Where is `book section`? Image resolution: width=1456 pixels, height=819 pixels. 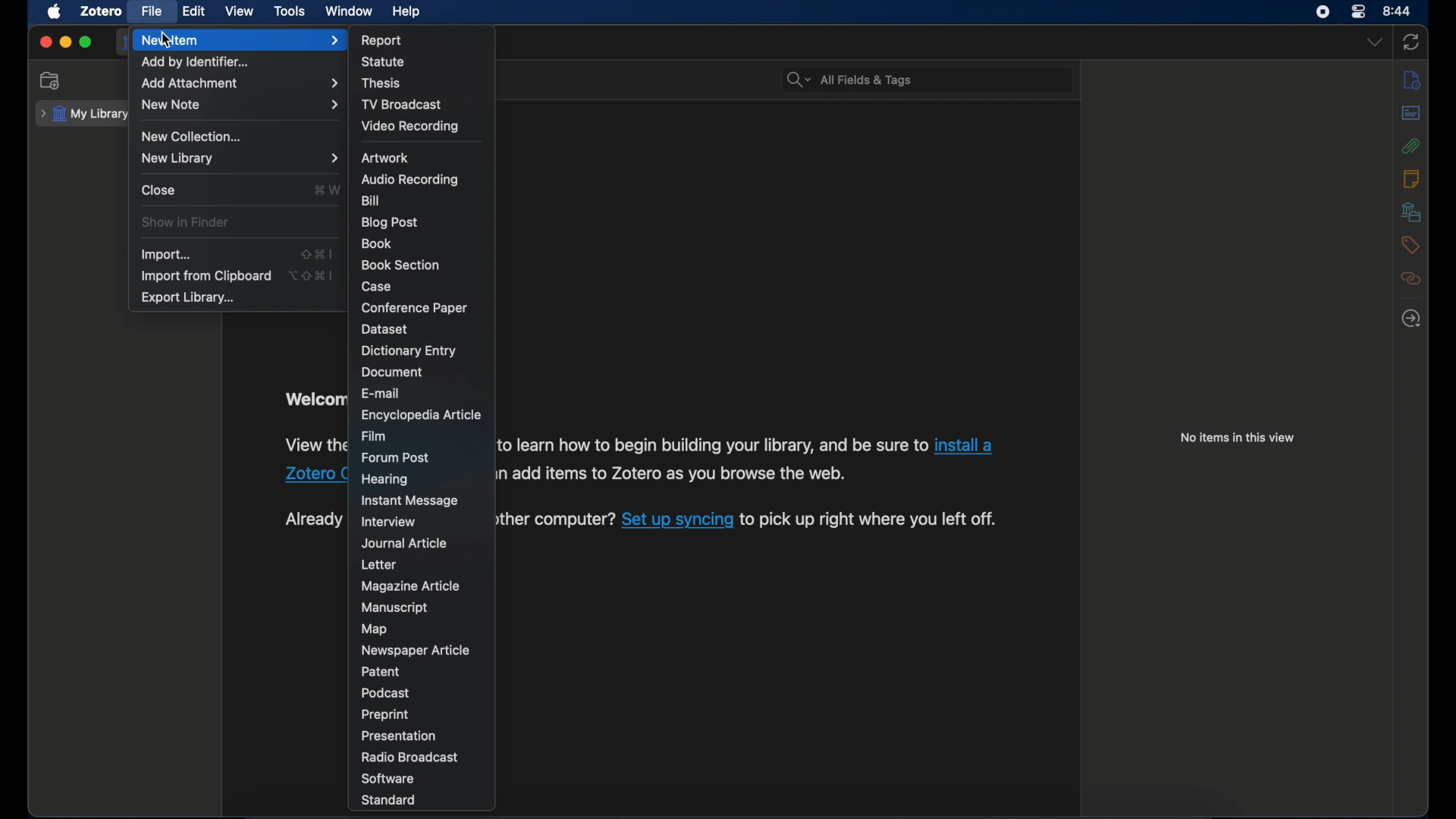
book section is located at coordinates (399, 263).